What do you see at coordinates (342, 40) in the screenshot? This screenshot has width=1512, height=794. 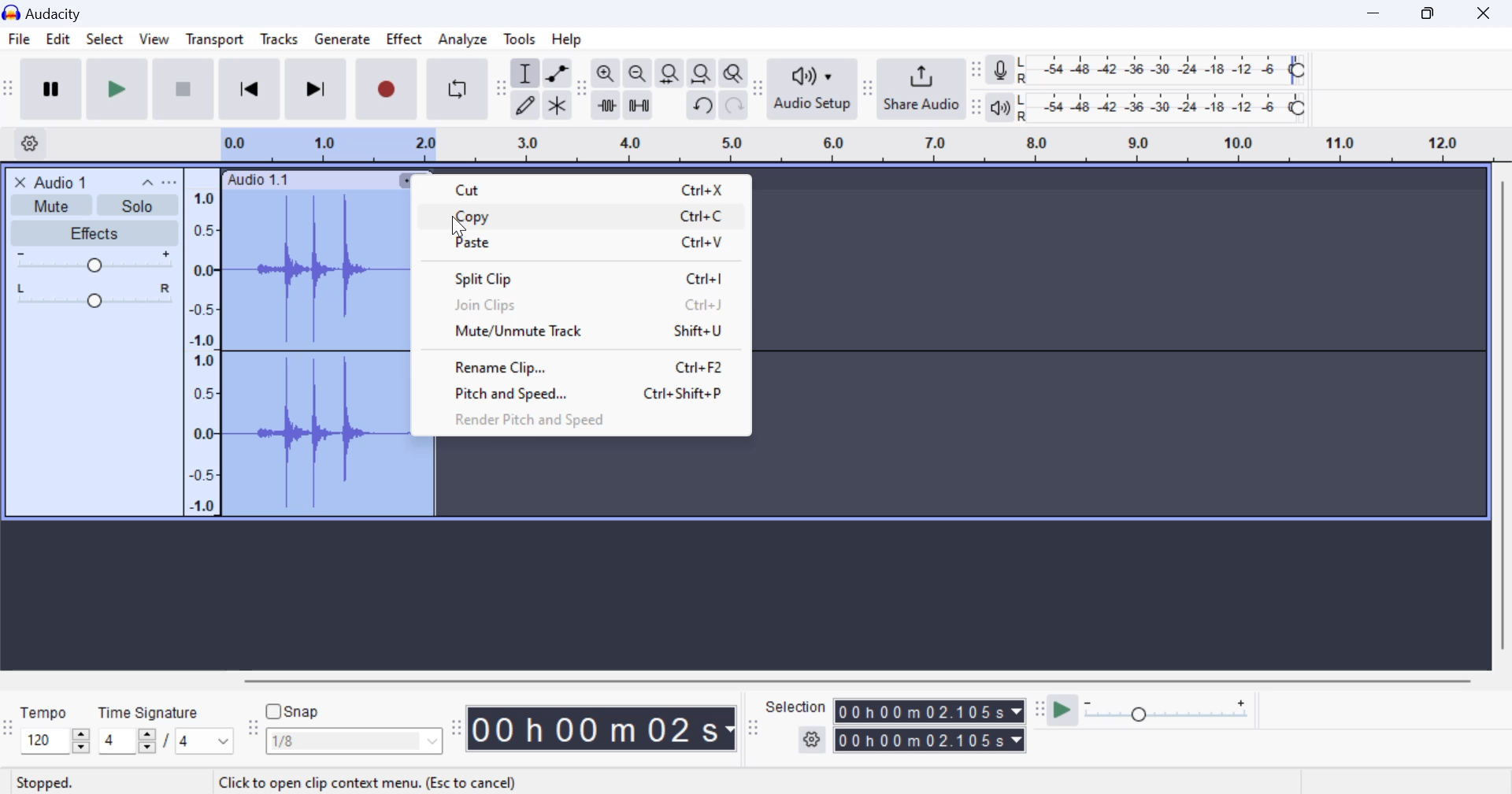 I see `Generate` at bounding box center [342, 40].